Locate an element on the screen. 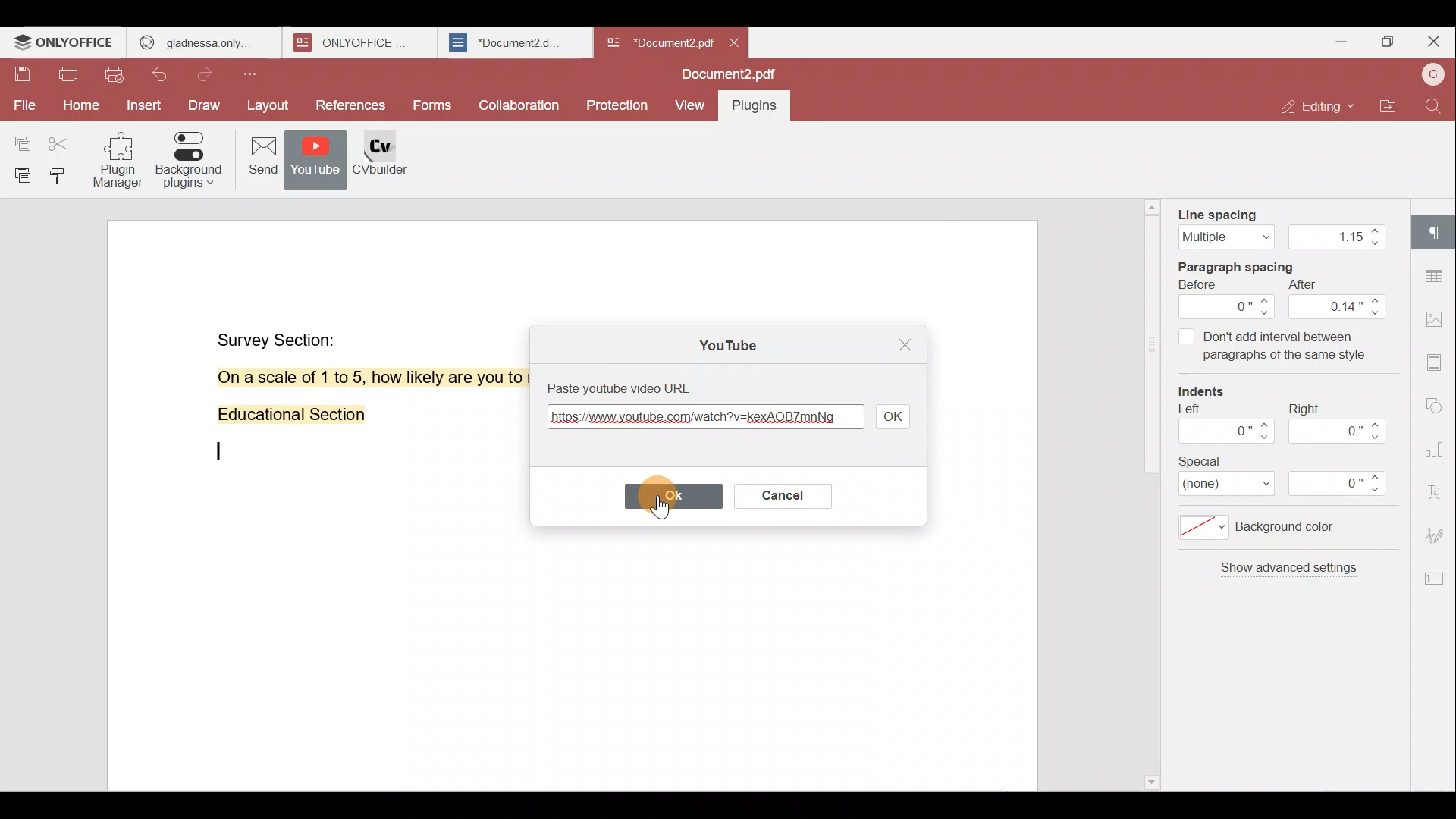 This screenshot has width=1456, height=819. CV builder is located at coordinates (390, 164).